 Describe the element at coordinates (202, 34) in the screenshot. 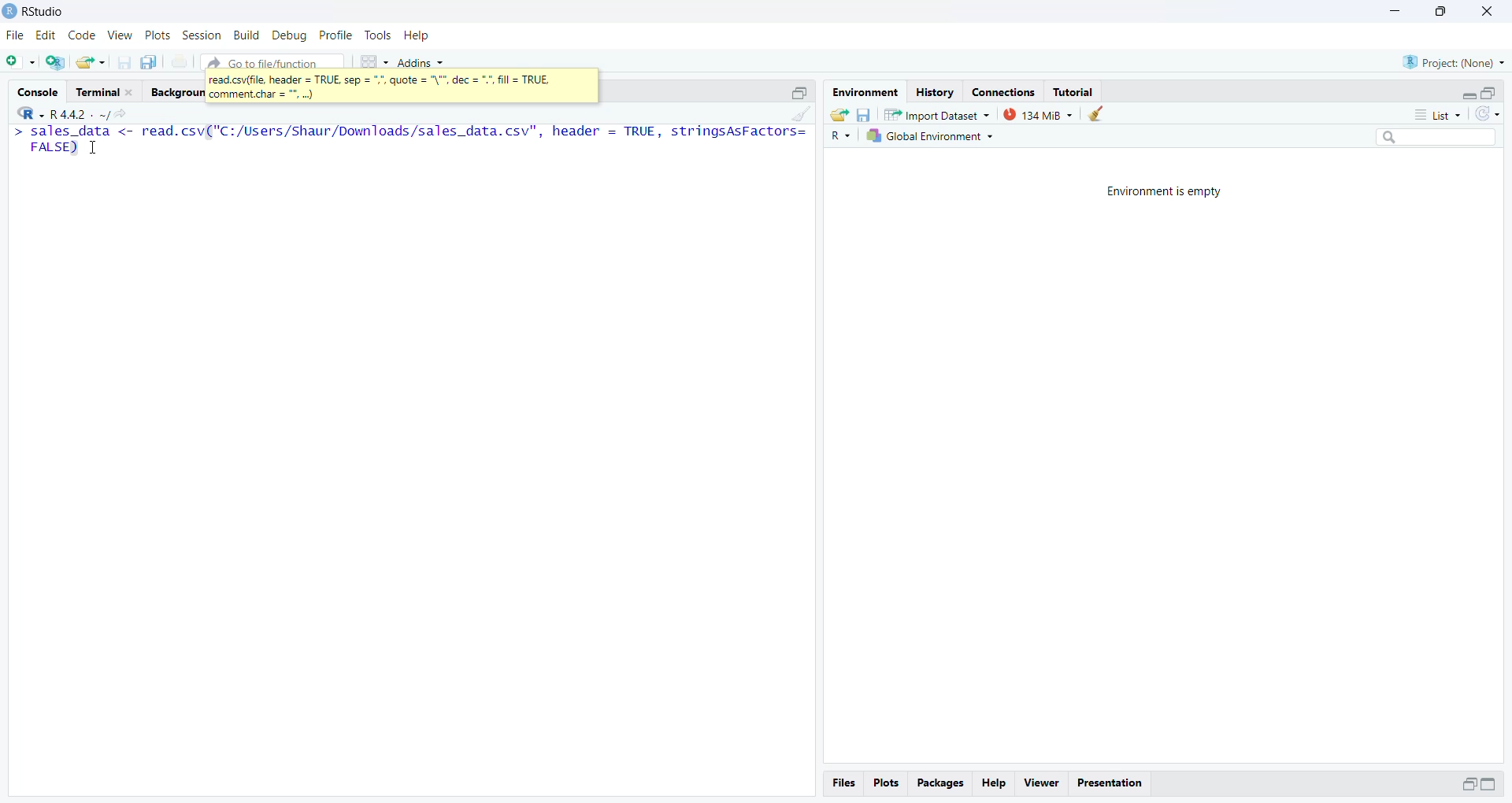

I see `Session` at that location.